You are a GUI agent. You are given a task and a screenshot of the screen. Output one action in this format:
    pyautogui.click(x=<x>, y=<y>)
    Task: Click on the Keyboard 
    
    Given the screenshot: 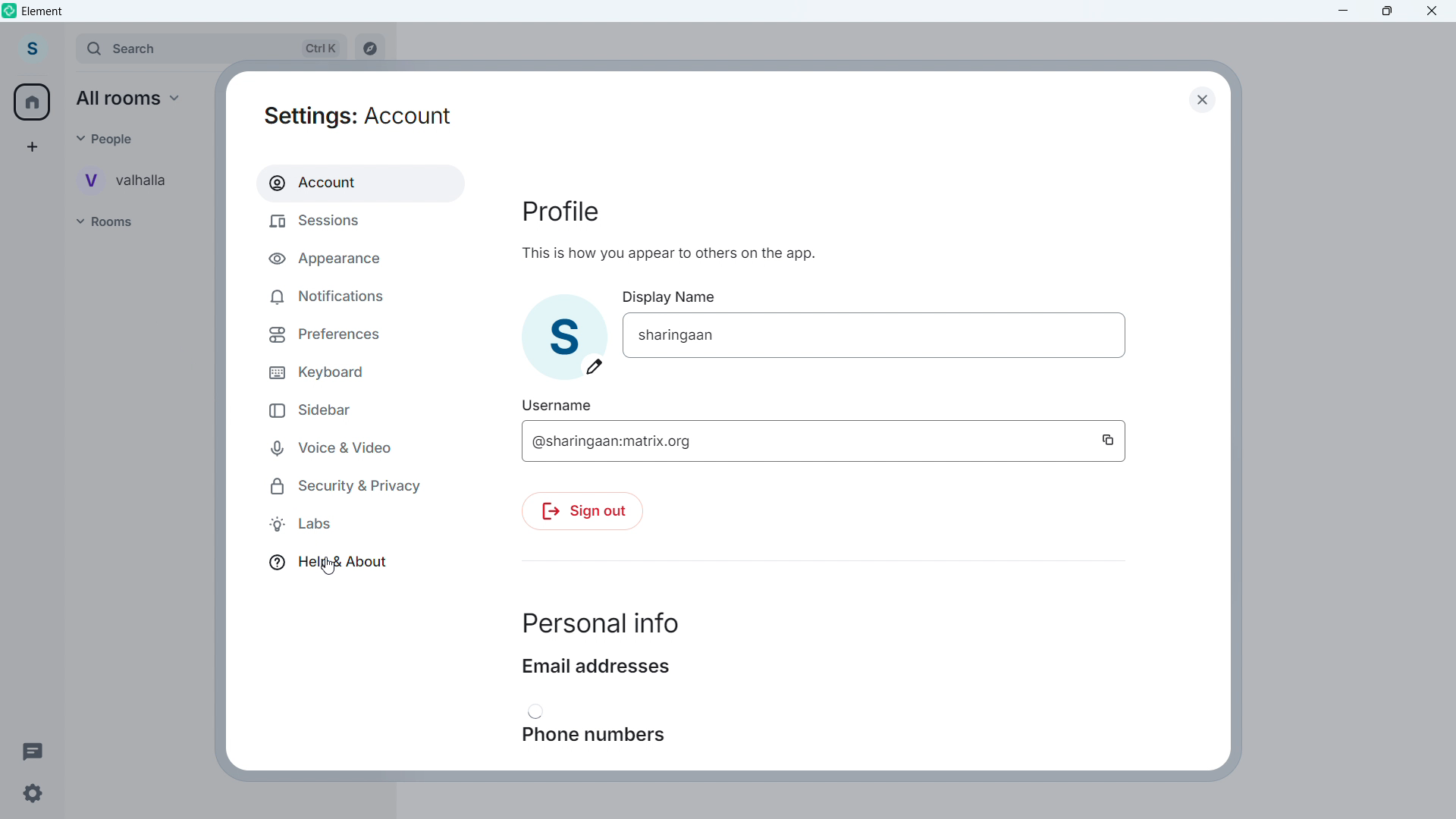 What is the action you would take?
    pyautogui.click(x=317, y=372)
    